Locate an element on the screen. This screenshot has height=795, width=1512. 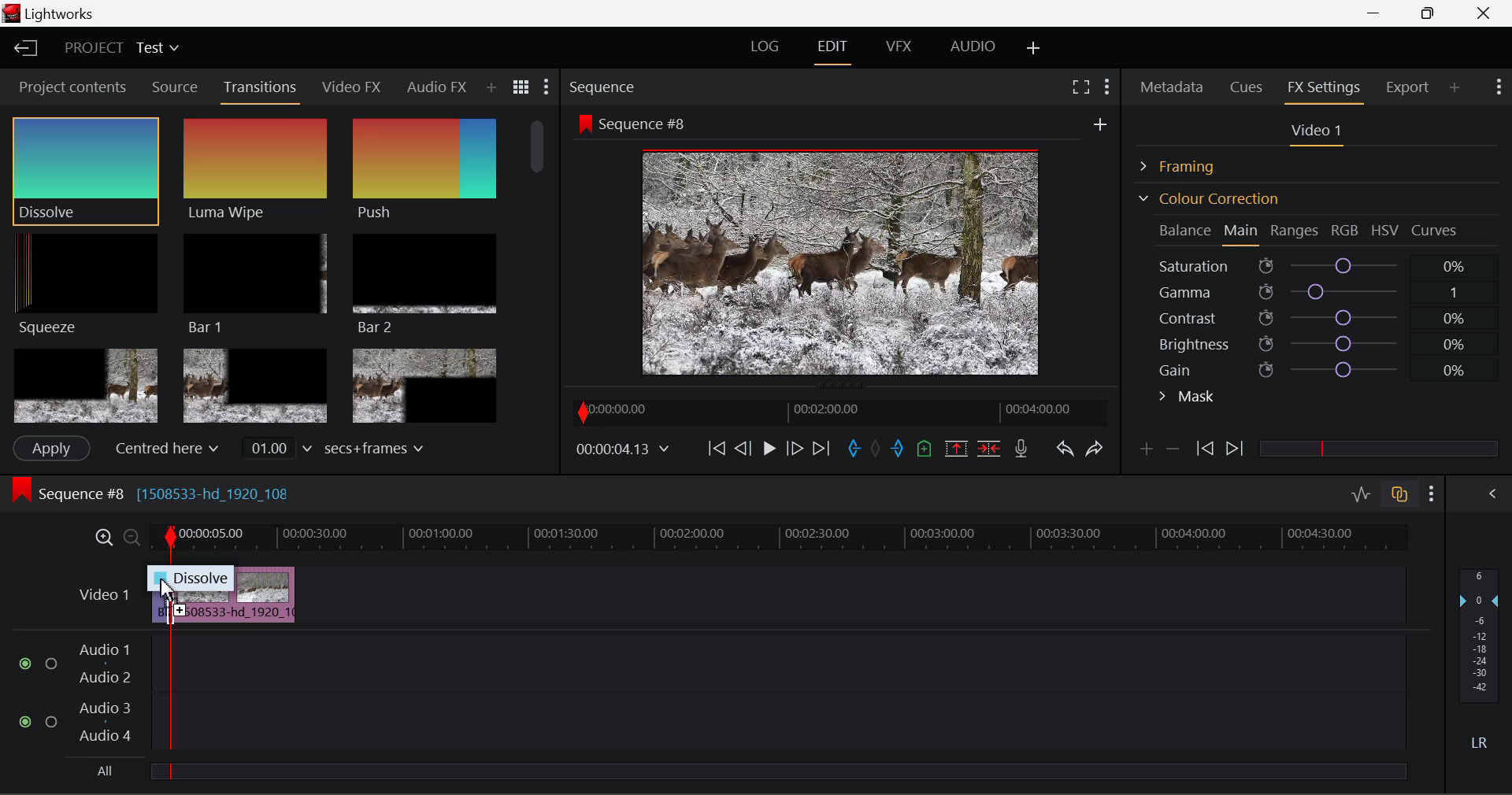
Squeeze is located at coordinates (80, 283).